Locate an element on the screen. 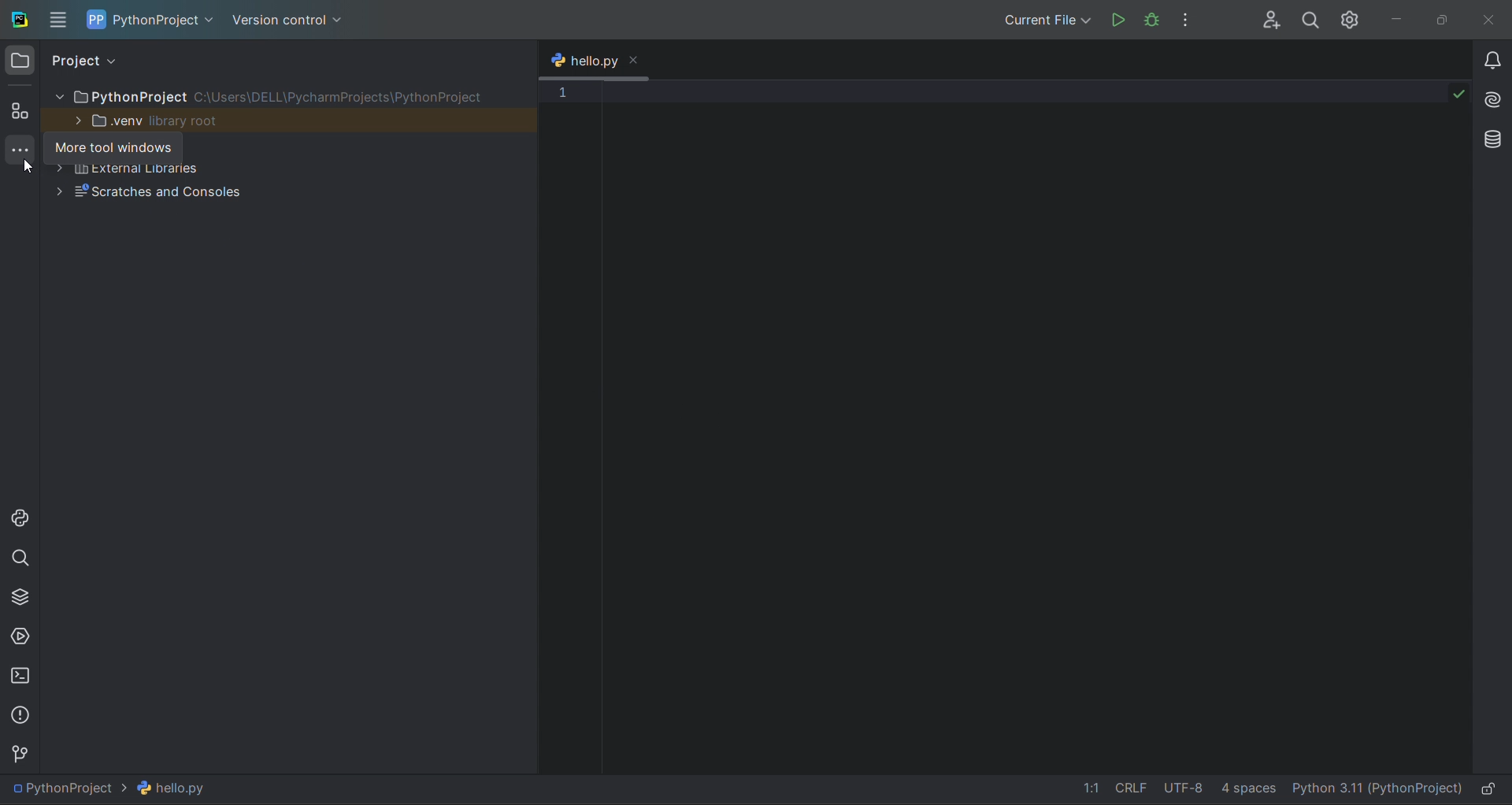 Image resolution: width=1512 pixels, height=805 pixels. notifications is located at coordinates (1493, 61).